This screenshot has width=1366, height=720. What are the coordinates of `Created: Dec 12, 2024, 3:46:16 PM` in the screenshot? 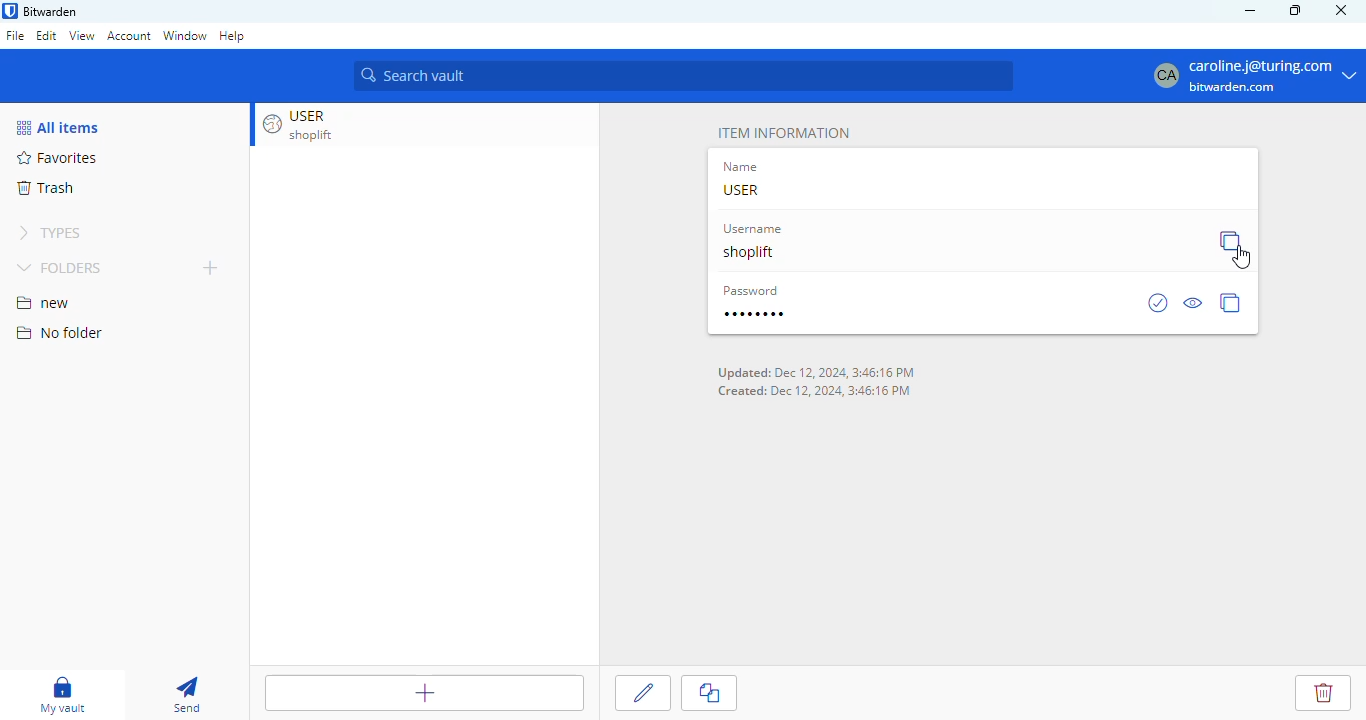 It's located at (816, 391).